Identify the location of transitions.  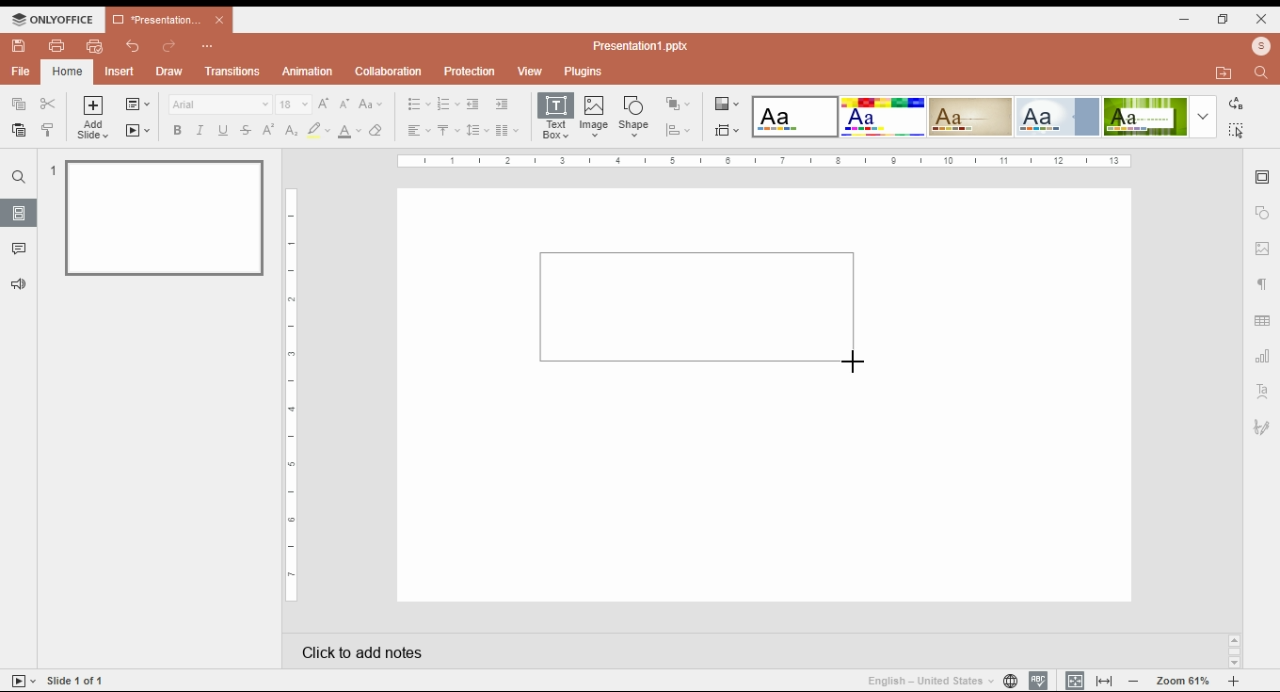
(233, 73).